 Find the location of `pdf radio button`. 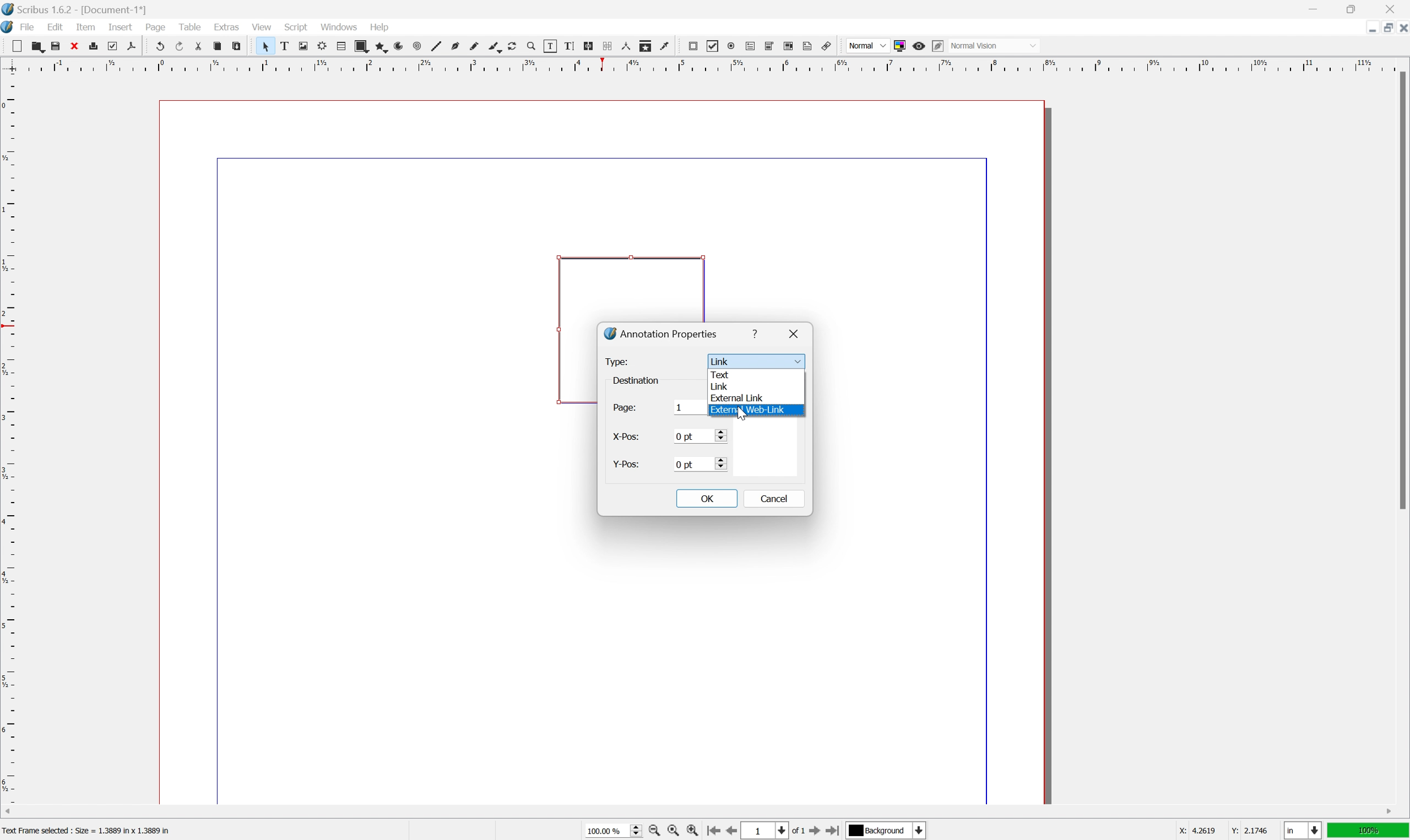

pdf radio button is located at coordinates (731, 46).